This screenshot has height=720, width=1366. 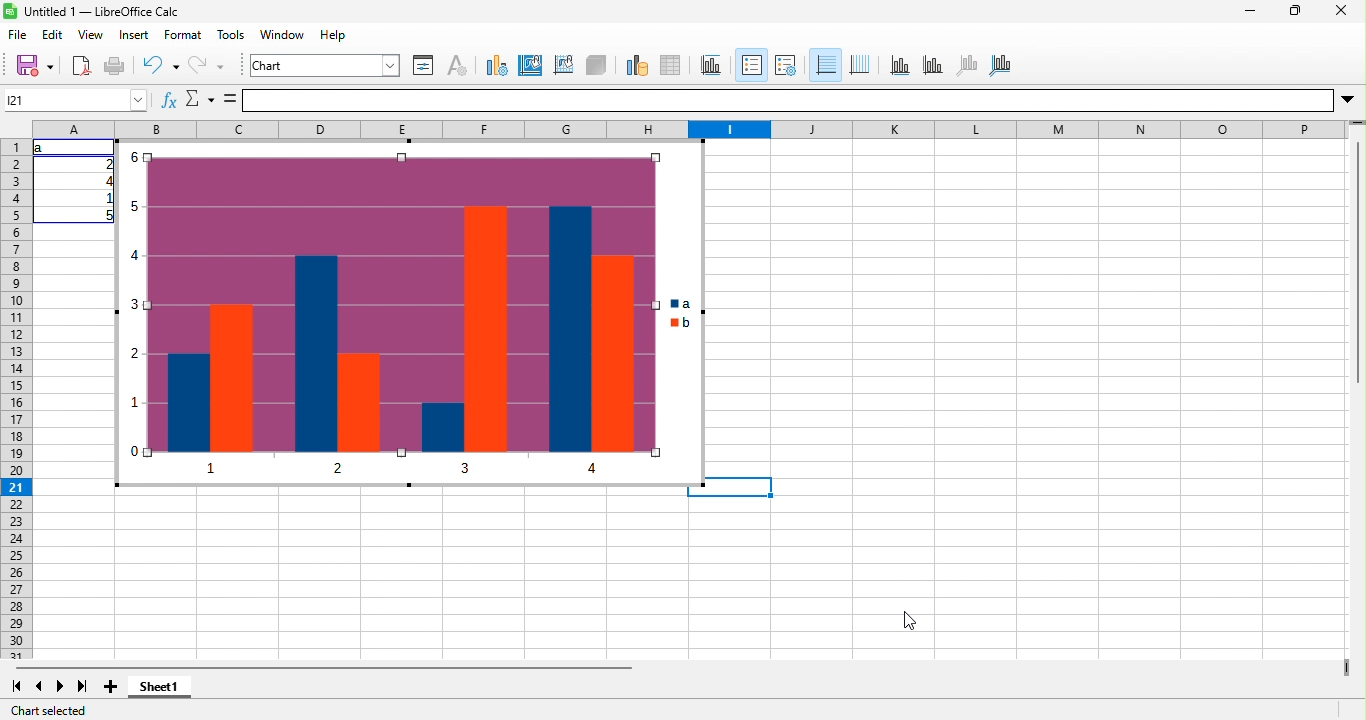 What do you see at coordinates (199, 99) in the screenshot?
I see `select function` at bounding box center [199, 99].